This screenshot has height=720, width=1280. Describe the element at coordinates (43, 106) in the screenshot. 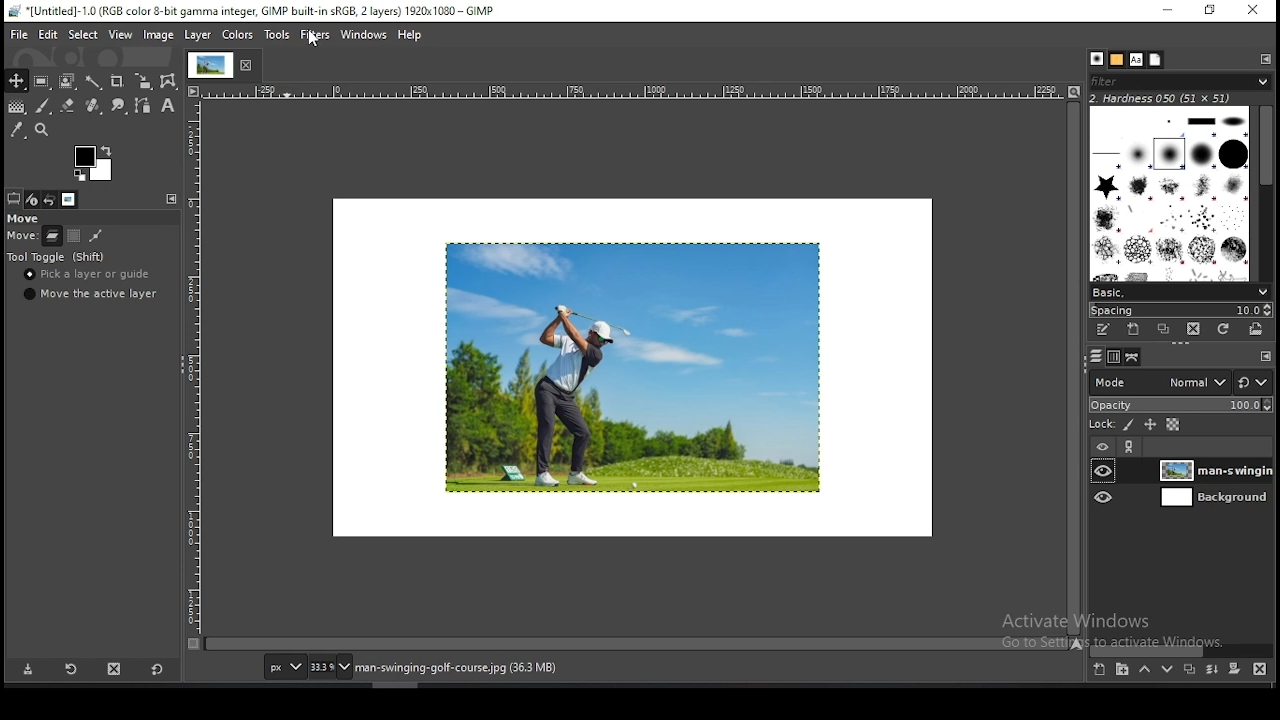

I see `paintbrush tool` at that location.